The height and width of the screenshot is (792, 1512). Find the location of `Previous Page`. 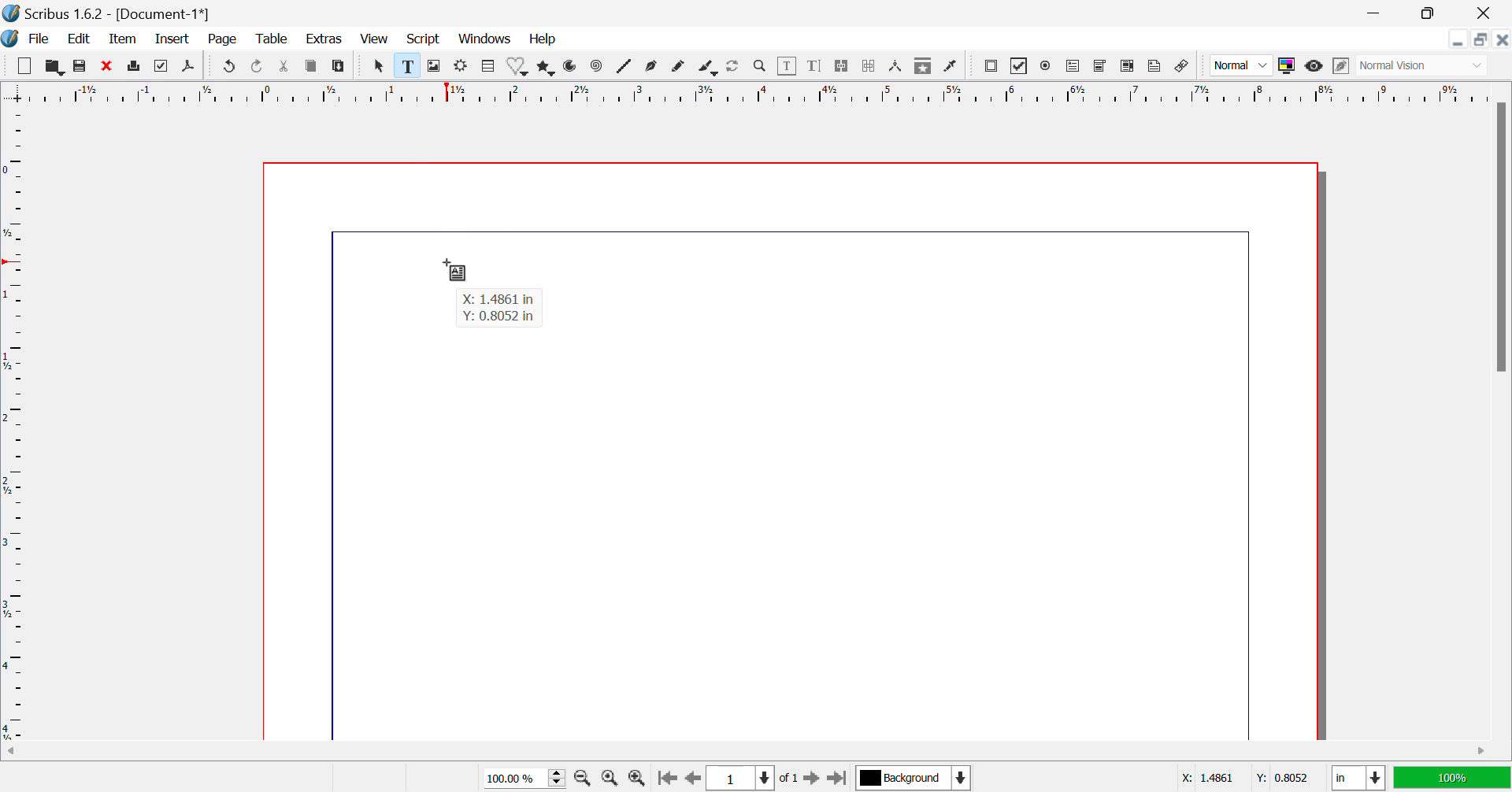

Previous Page is located at coordinates (691, 779).